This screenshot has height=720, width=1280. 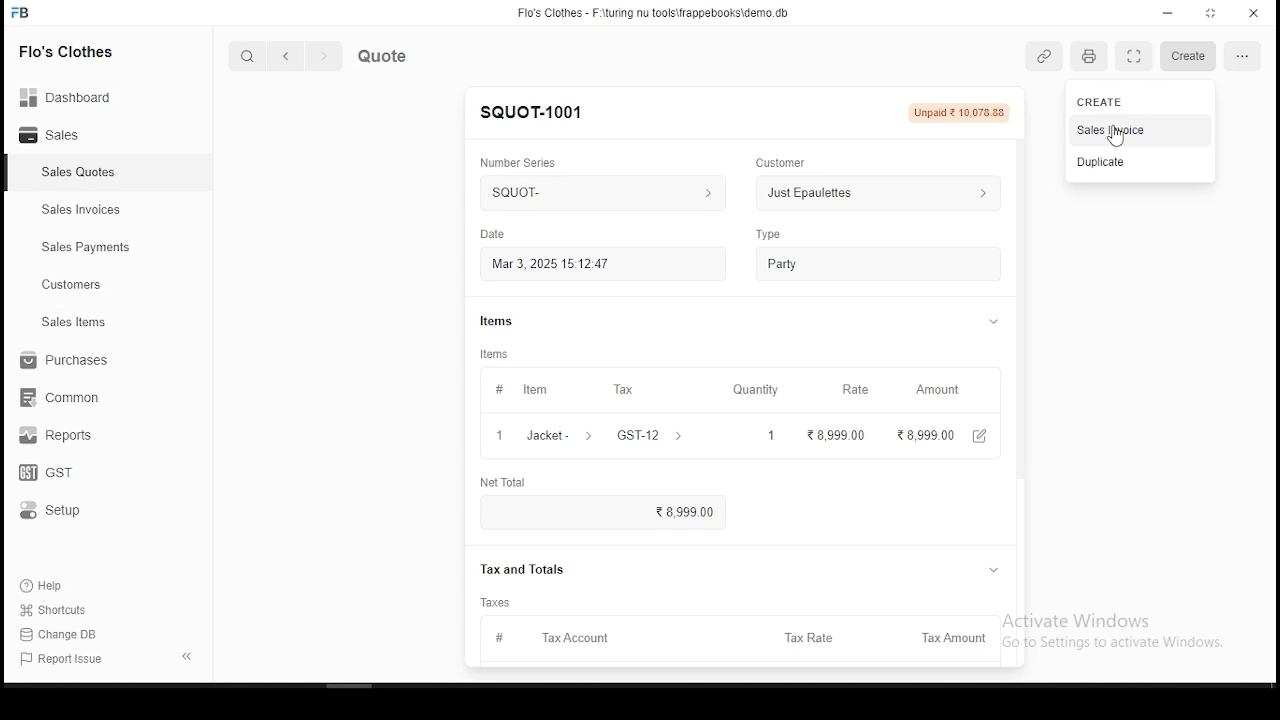 I want to click on ales items, so click(x=78, y=323).